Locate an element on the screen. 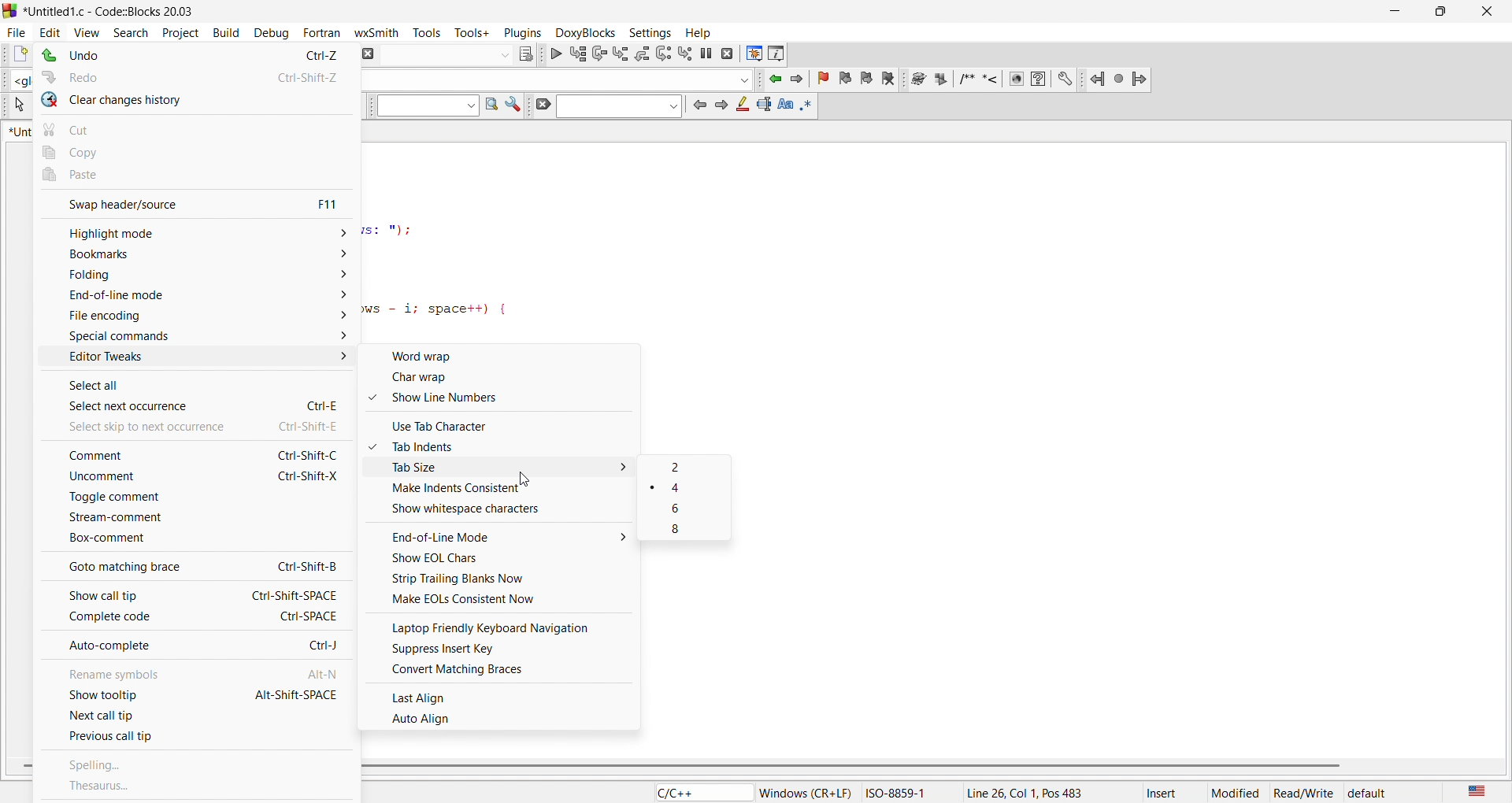 The image size is (1512, 803). Ctrl-j is located at coordinates (324, 643).